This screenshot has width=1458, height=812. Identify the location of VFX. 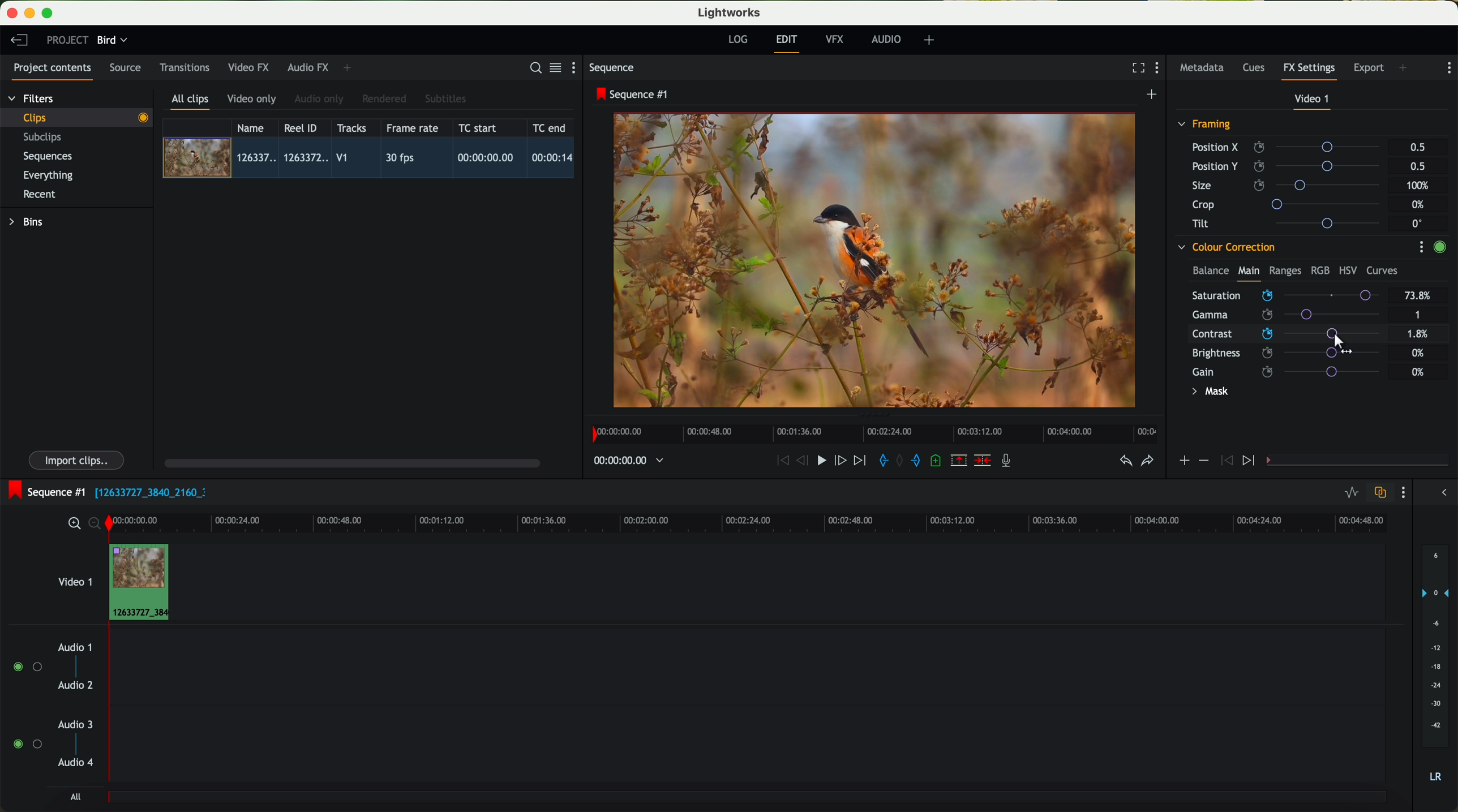
(837, 40).